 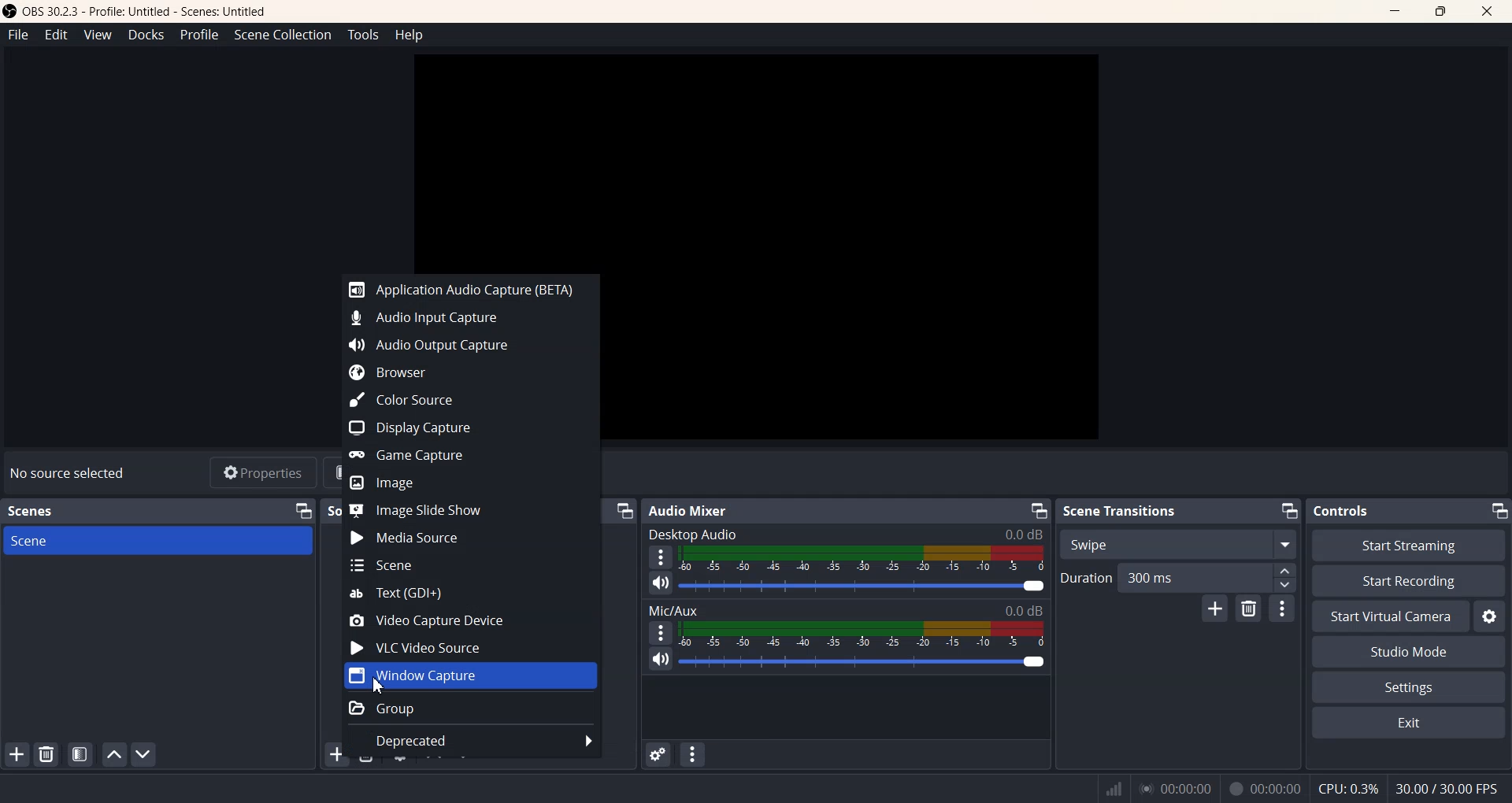 I want to click on Color Source, so click(x=467, y=398).